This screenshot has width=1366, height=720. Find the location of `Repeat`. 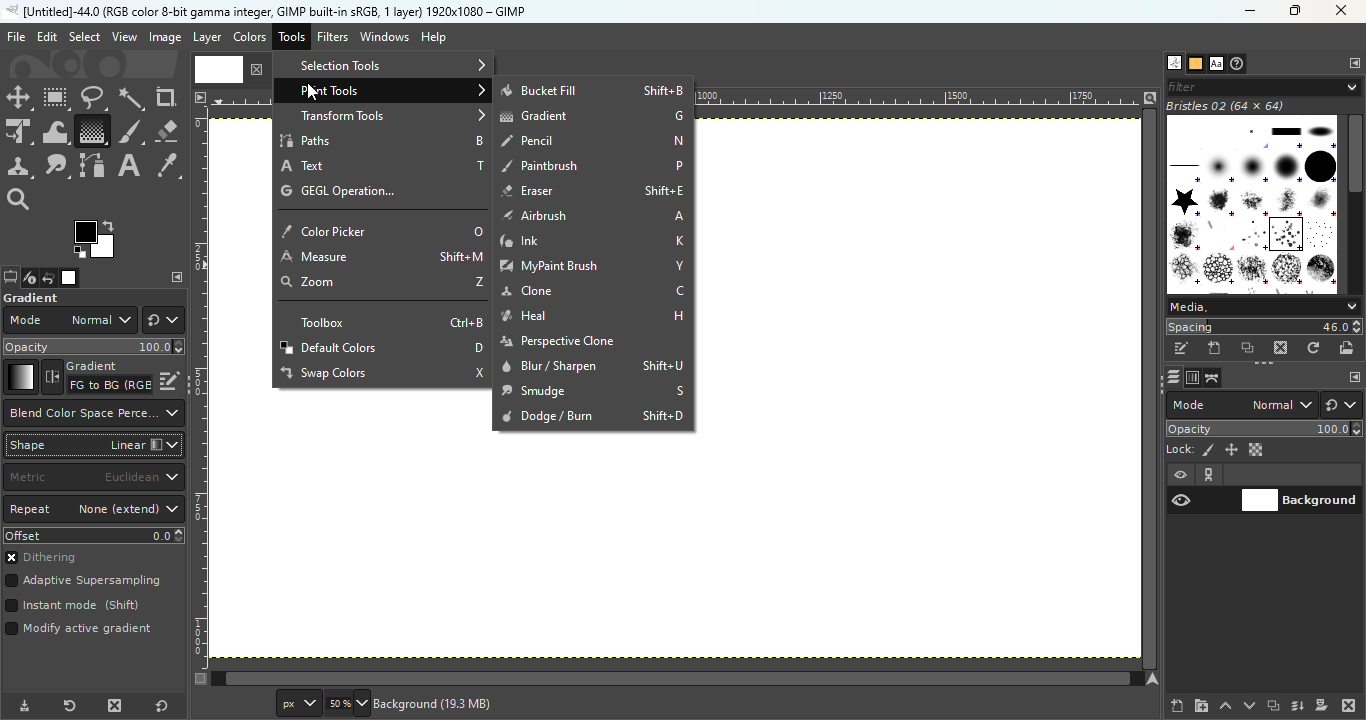

Repeat is located at coordinates (94, 510).